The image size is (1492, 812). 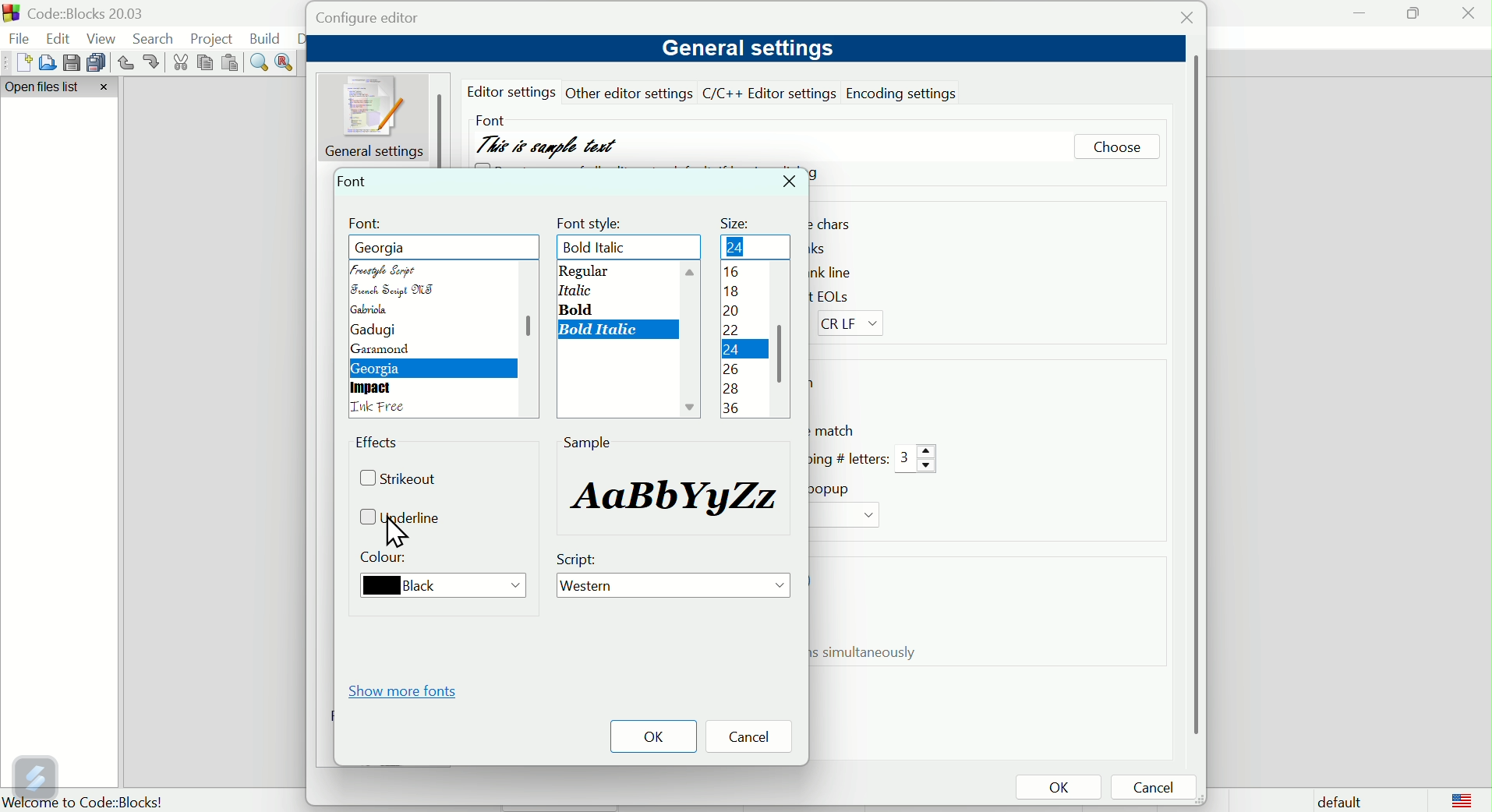 What do you see at coordinates (731, 312) in the screenshot?
I see `20` at bounding box center [731, 312].